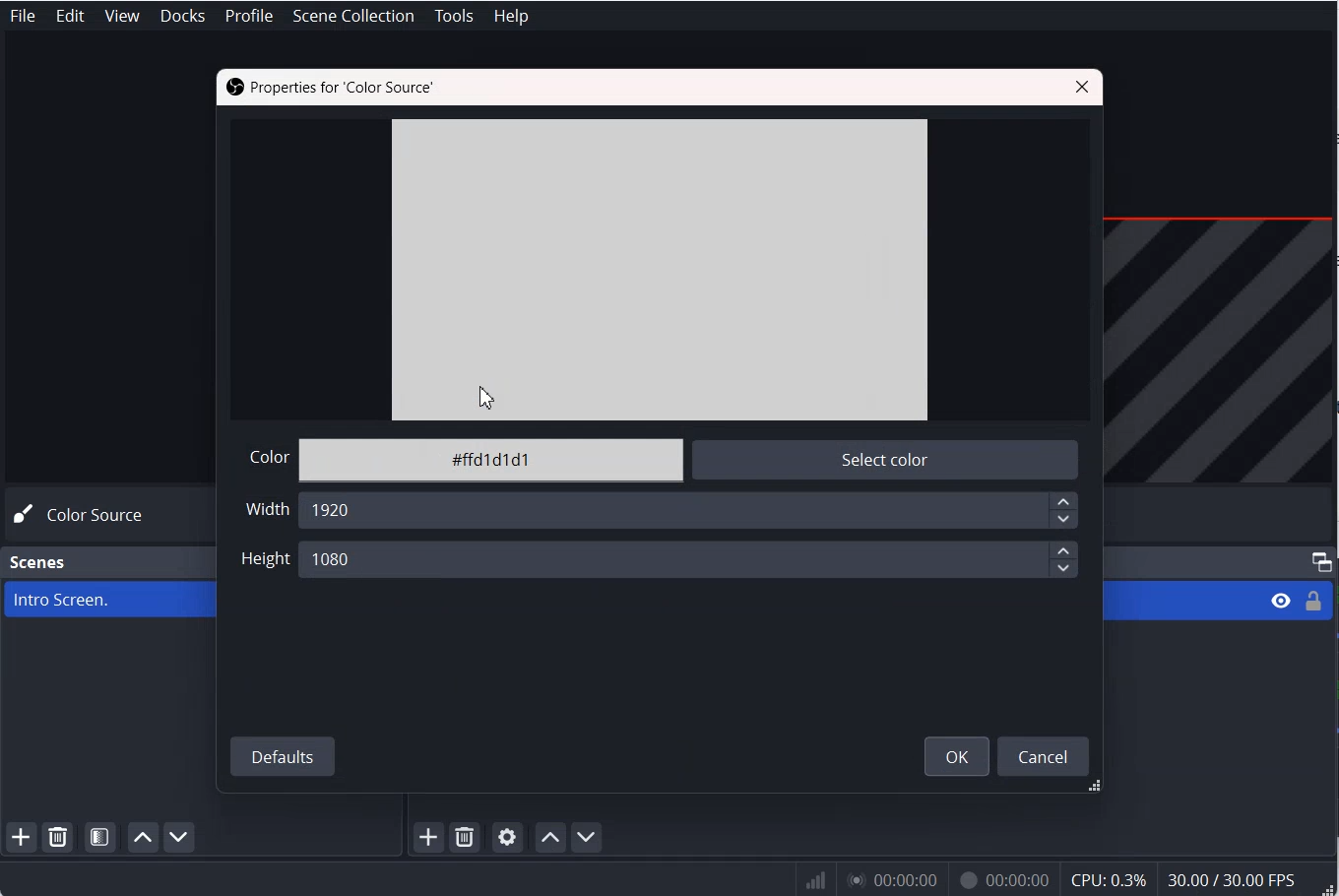  What do you see at coordinates (58, 837) in the screenshot?
I see `Remove Selected Scene` at bounding box center [58, 837].